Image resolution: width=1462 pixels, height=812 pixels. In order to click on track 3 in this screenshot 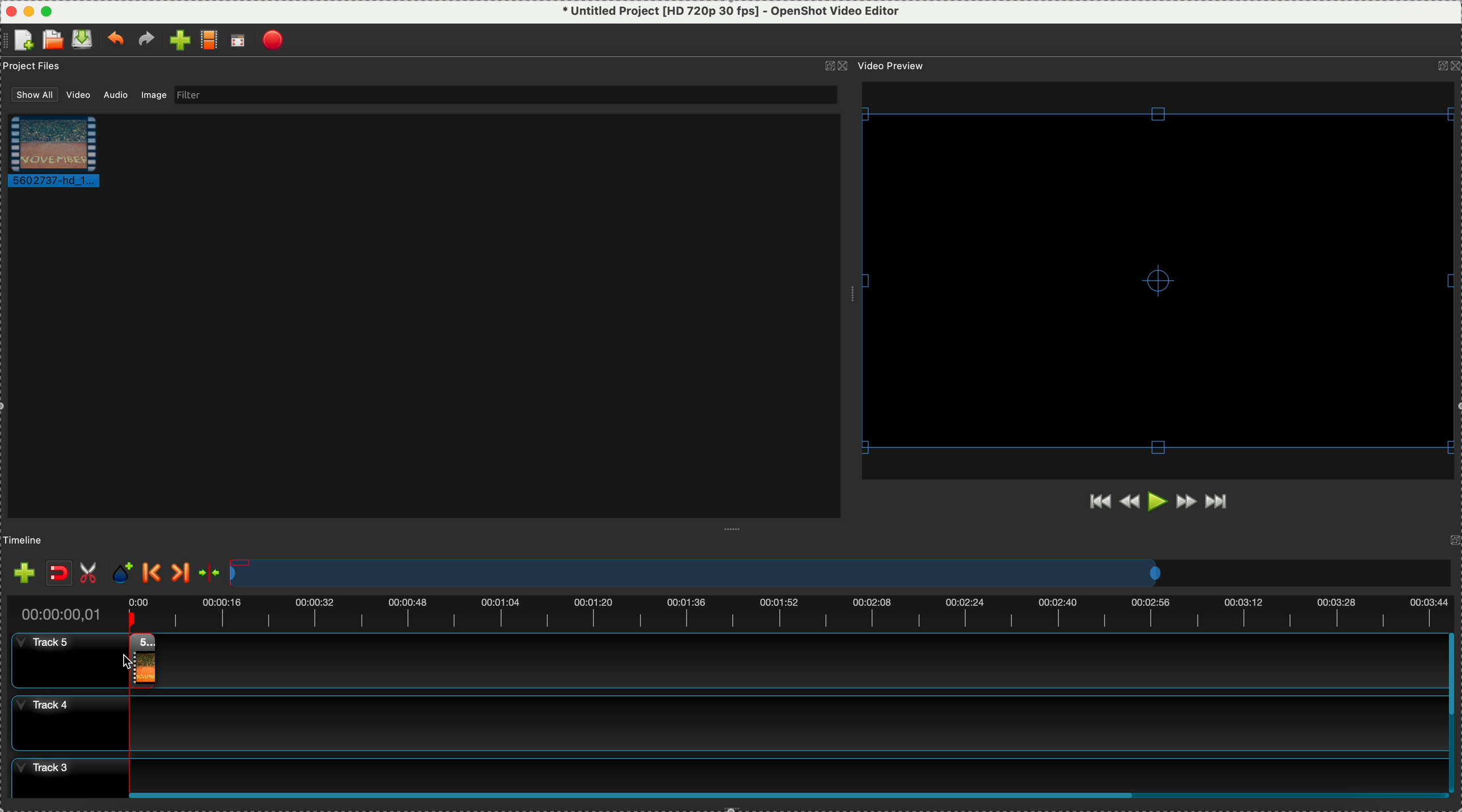, I will do `click(720, 771)`.